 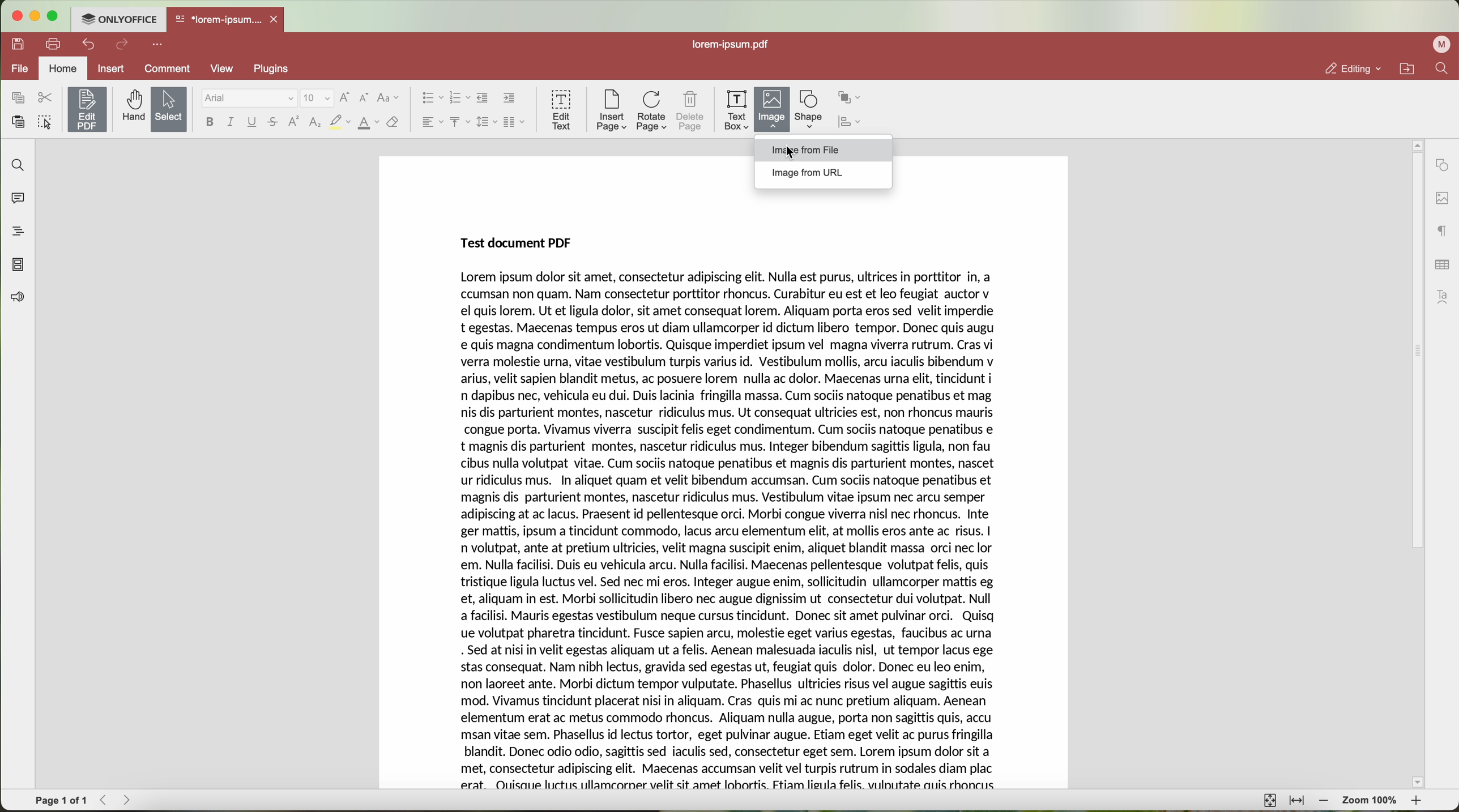 What do you see at coordinates (16, 299) in the screenshot?
I see `feedback & support` at bounding box center [16, 299].